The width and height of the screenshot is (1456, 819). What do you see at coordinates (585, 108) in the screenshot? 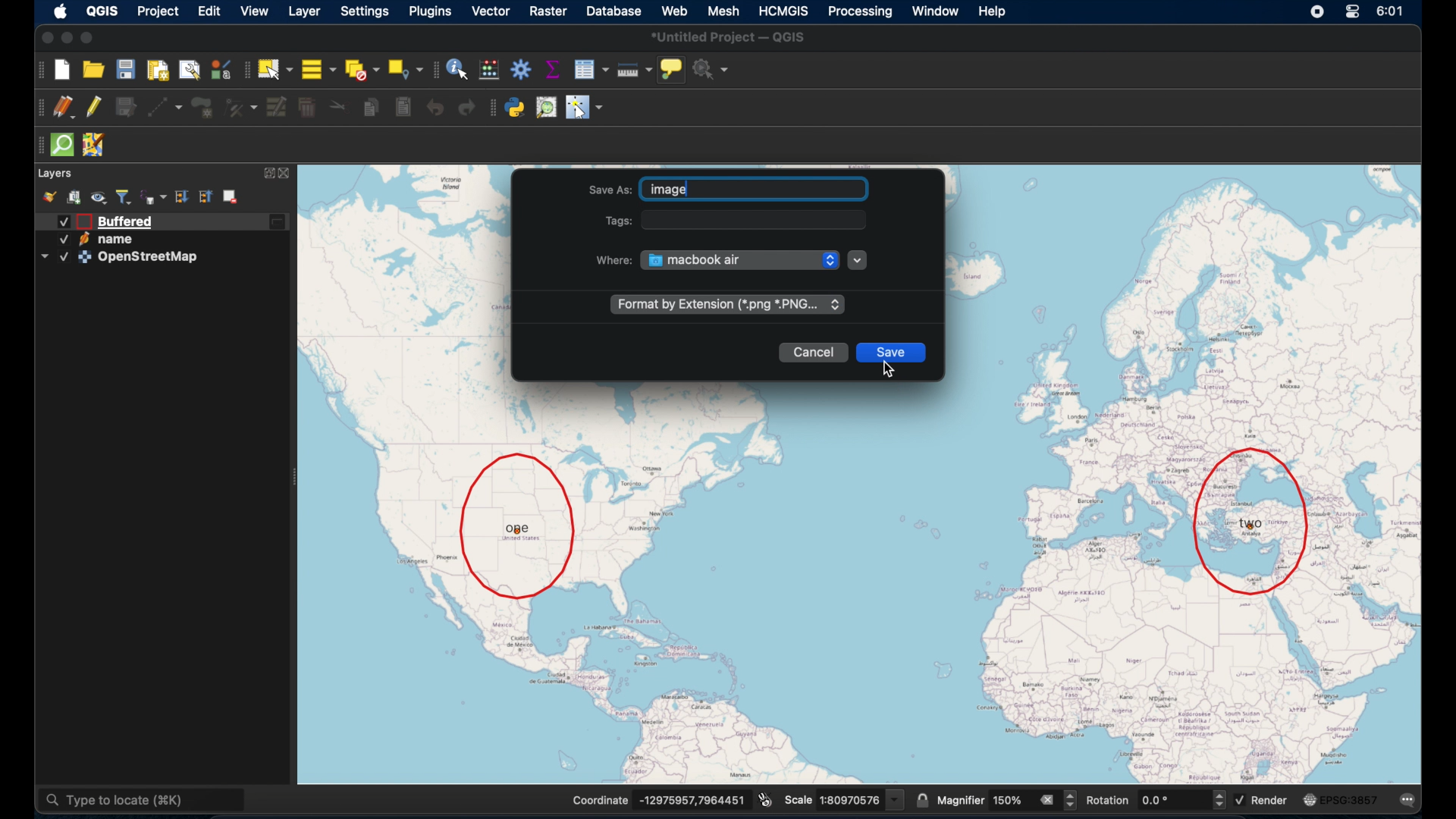
I see `switches mouse to configurable pointer` at bounding box center [585, 108].